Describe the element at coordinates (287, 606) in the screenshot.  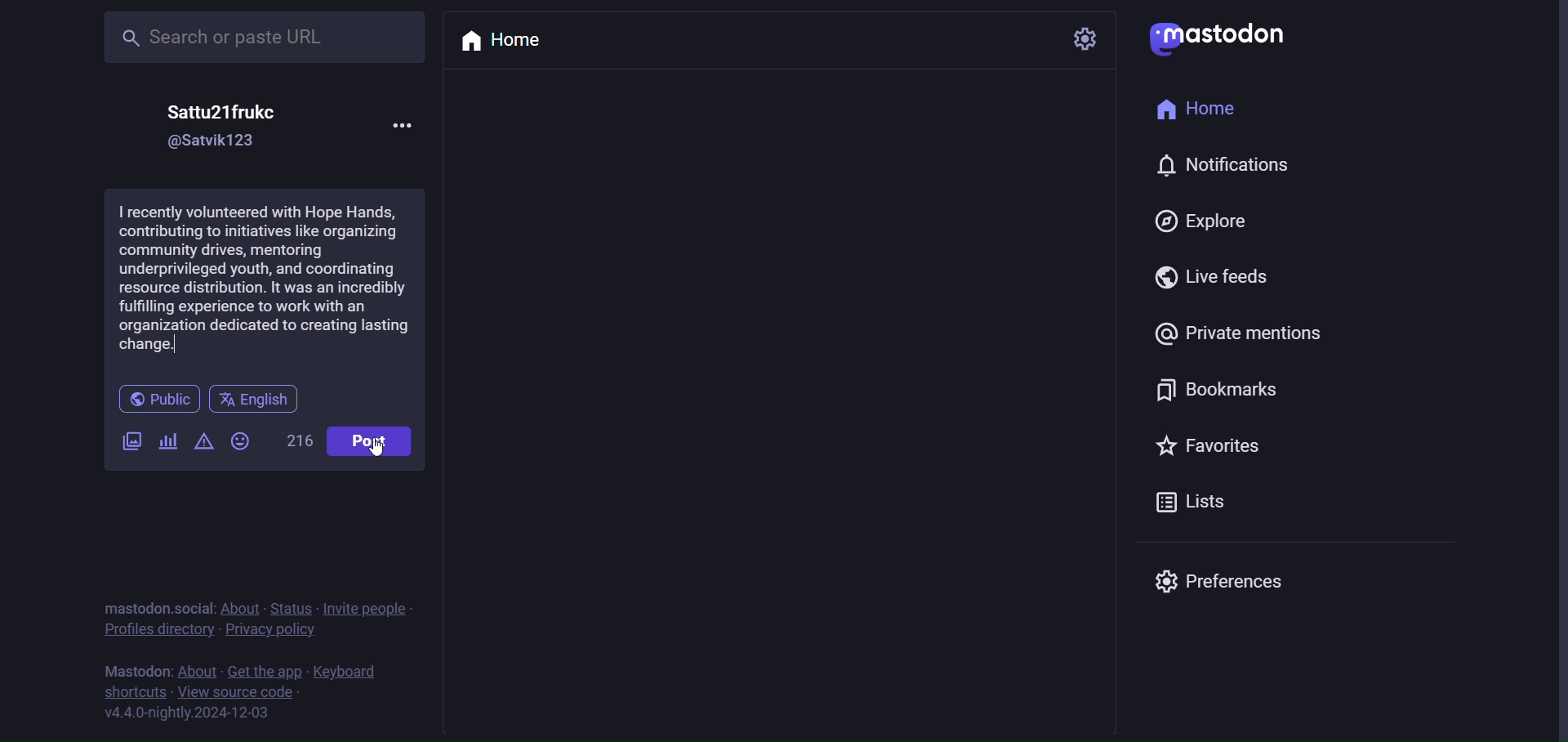
I see `status` at that location.